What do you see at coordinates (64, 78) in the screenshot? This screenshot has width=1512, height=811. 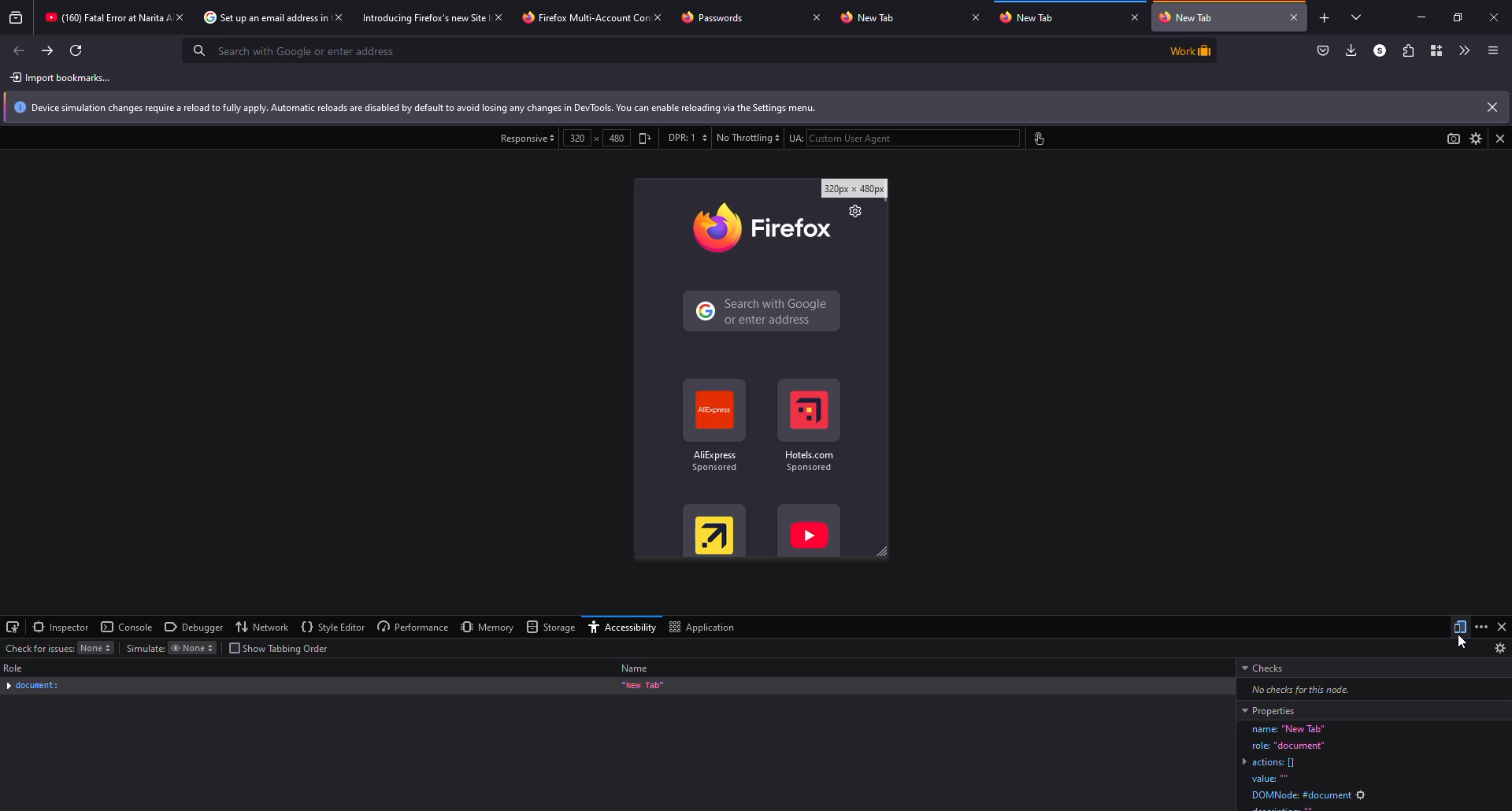 I see `import bookmarks` at bounding box center [64, 78].